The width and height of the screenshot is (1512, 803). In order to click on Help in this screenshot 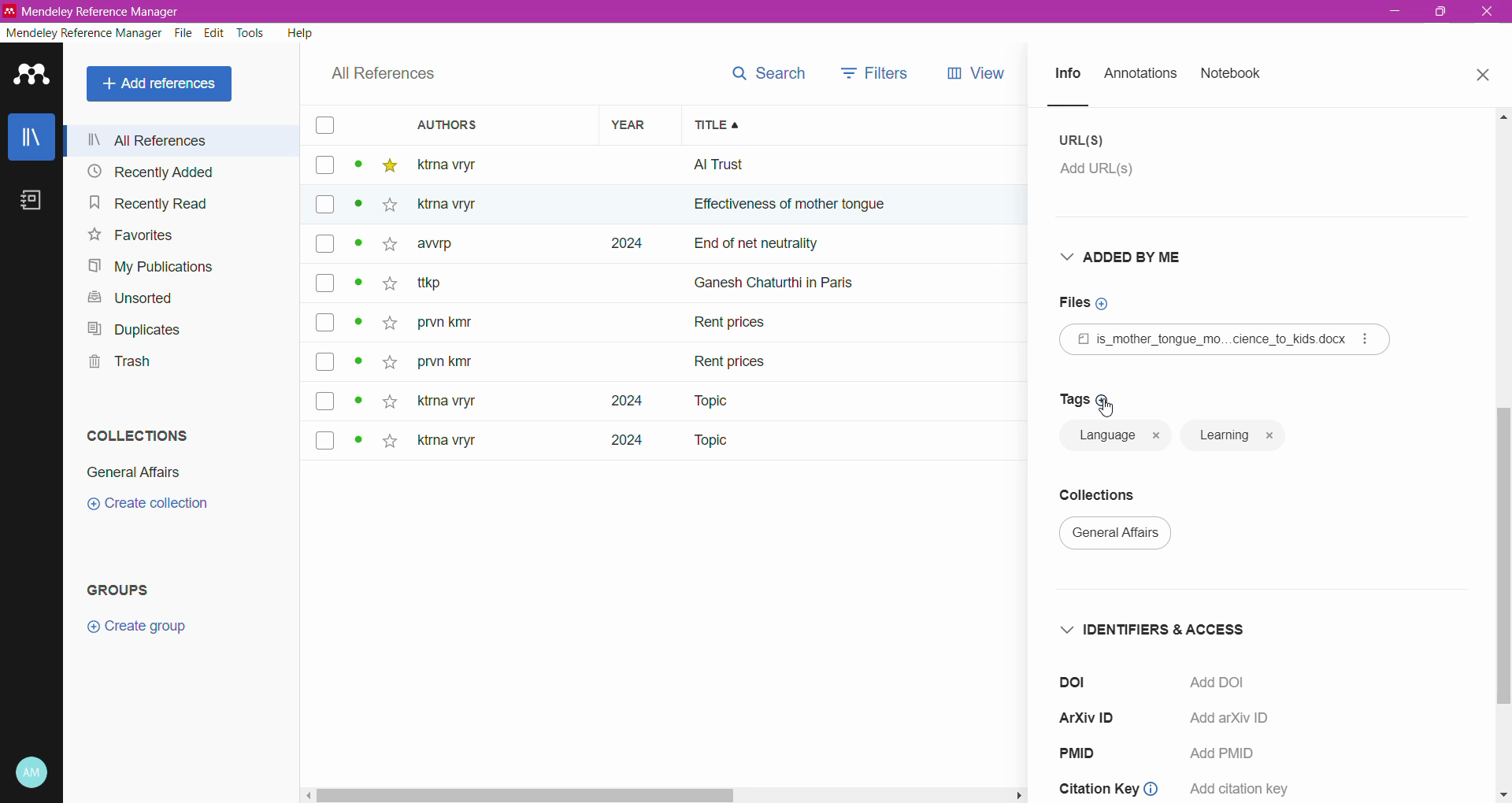, I will do `click(301, 32)`.